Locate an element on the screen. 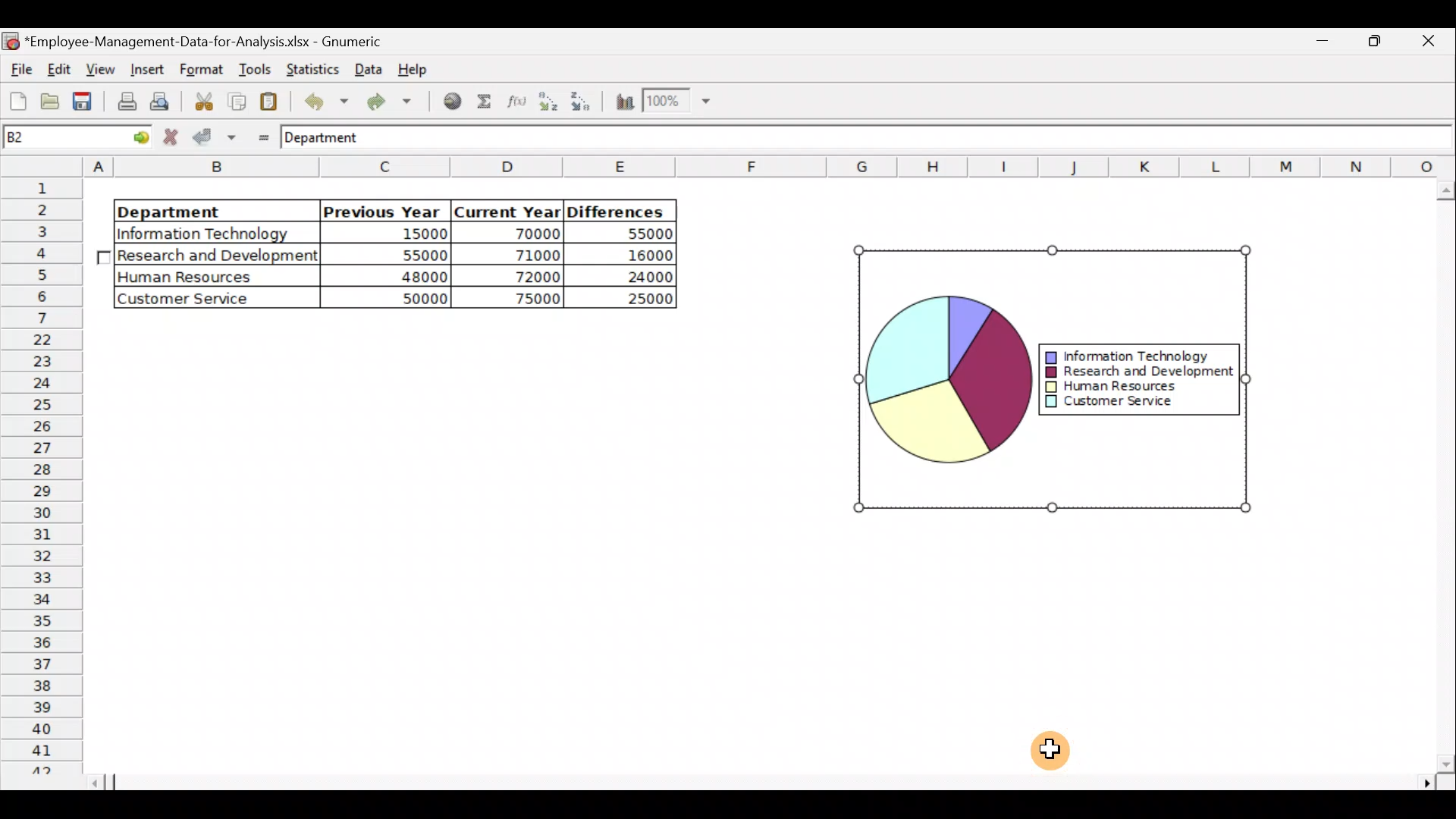  Enter formula is located at coordinates (259, 136).